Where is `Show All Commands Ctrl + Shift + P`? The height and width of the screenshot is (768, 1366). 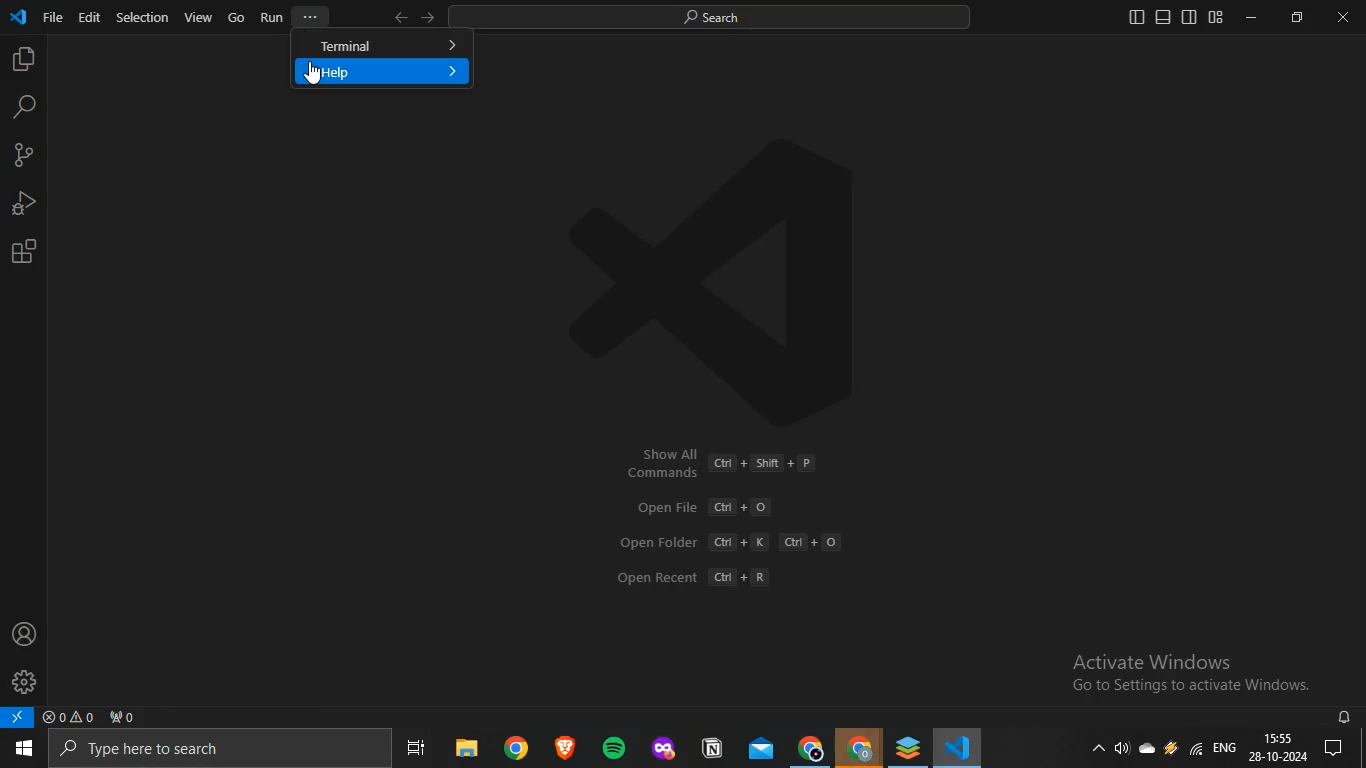 Show All Commands Ctrl + Shift + P is located at coordinates (721, 463).